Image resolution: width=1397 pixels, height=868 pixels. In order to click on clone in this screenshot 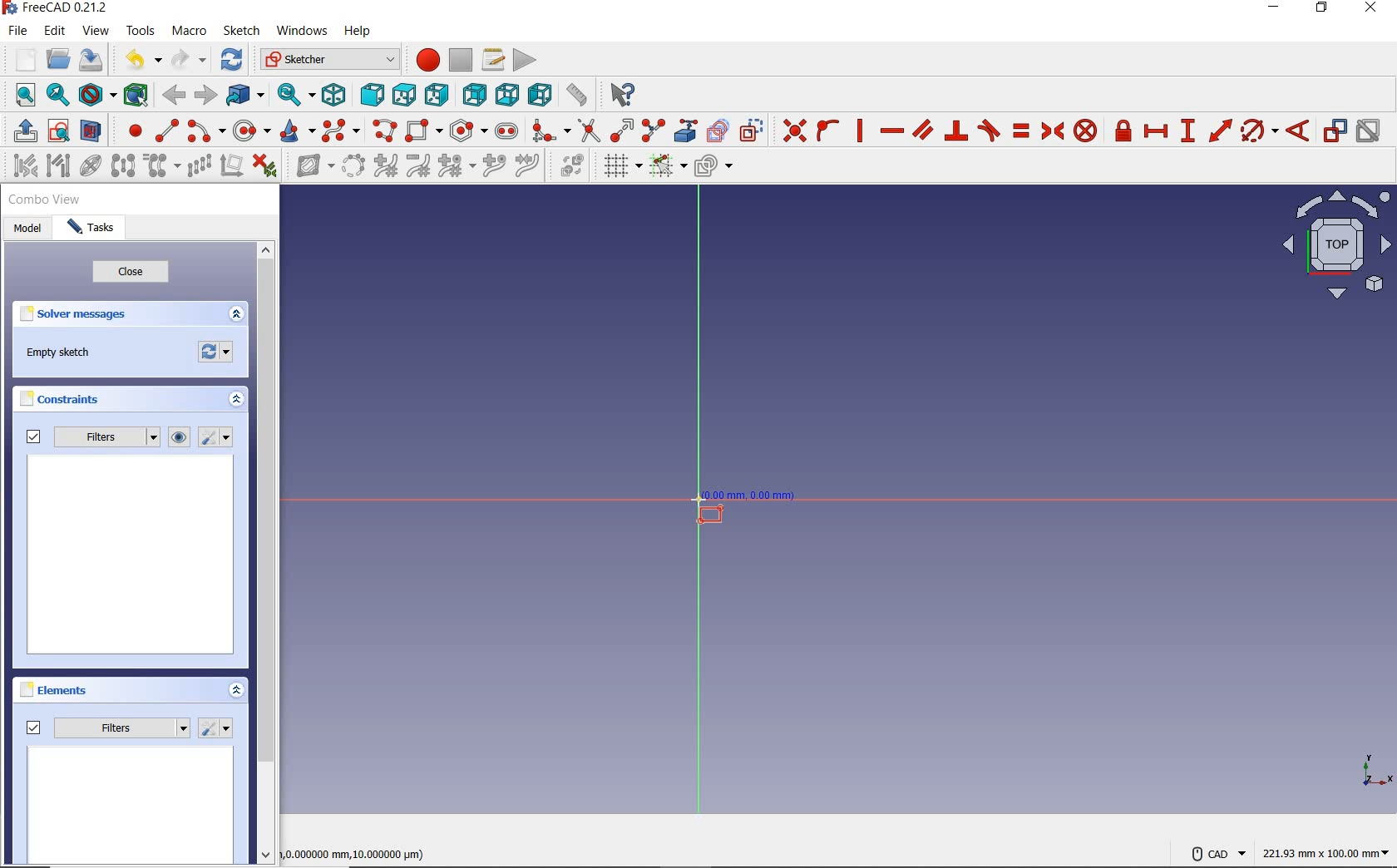, I will do `click(163, 166)`.